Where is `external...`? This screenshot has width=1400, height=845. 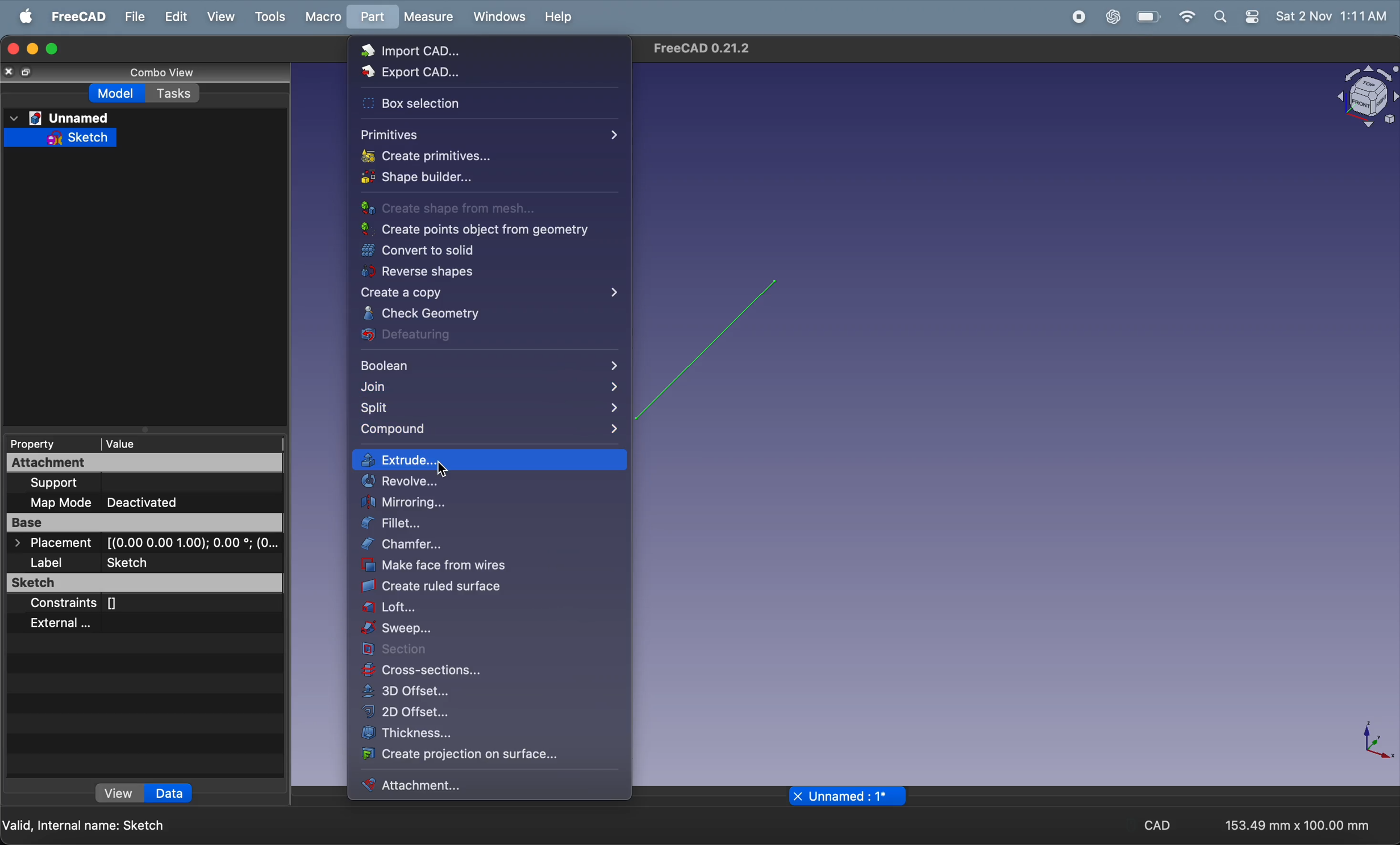
external... is located at coordinates (64, 625).